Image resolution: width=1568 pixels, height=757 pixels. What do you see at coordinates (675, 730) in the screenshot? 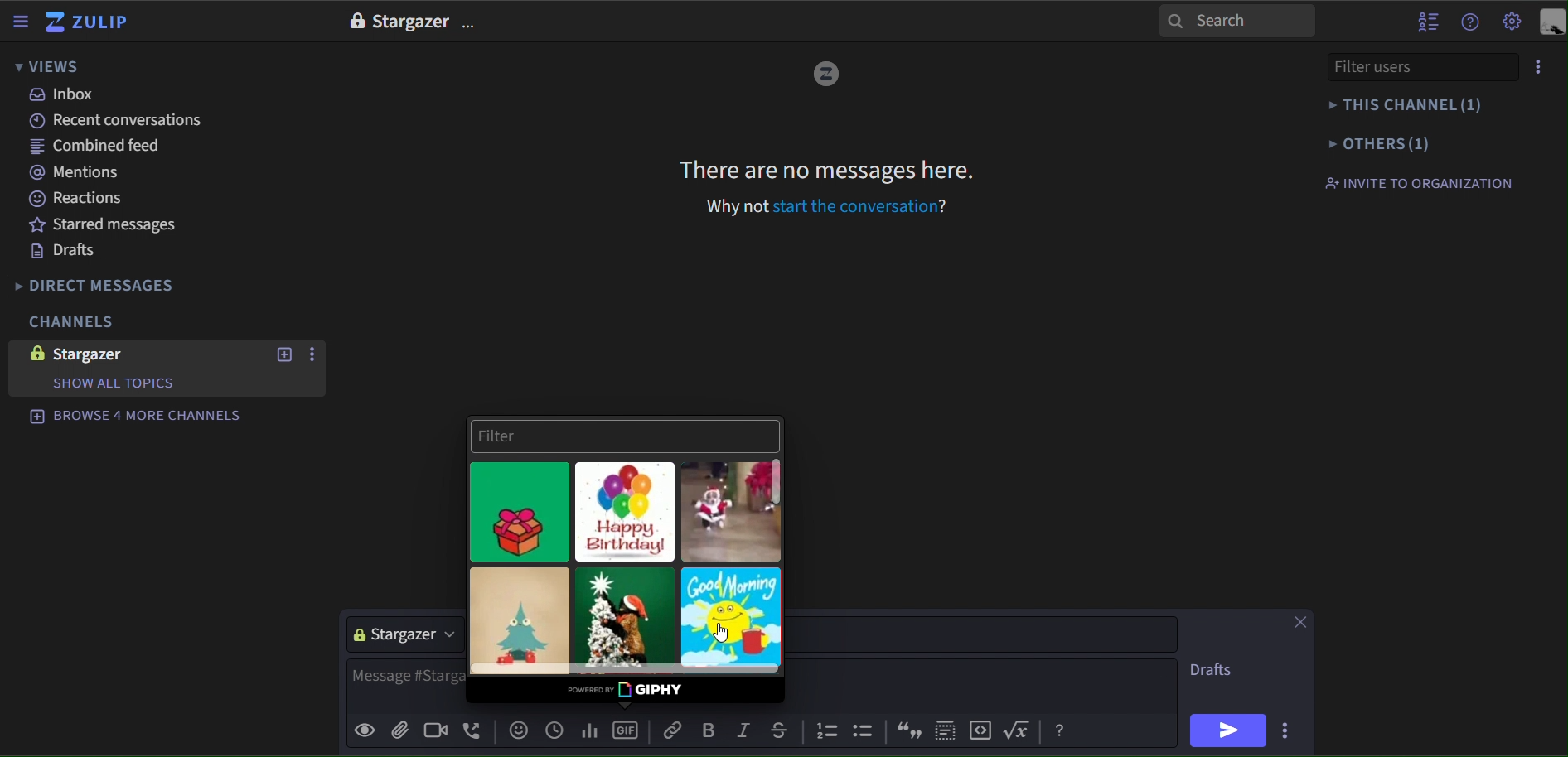
I see `link` at bounding box center [675, 730].